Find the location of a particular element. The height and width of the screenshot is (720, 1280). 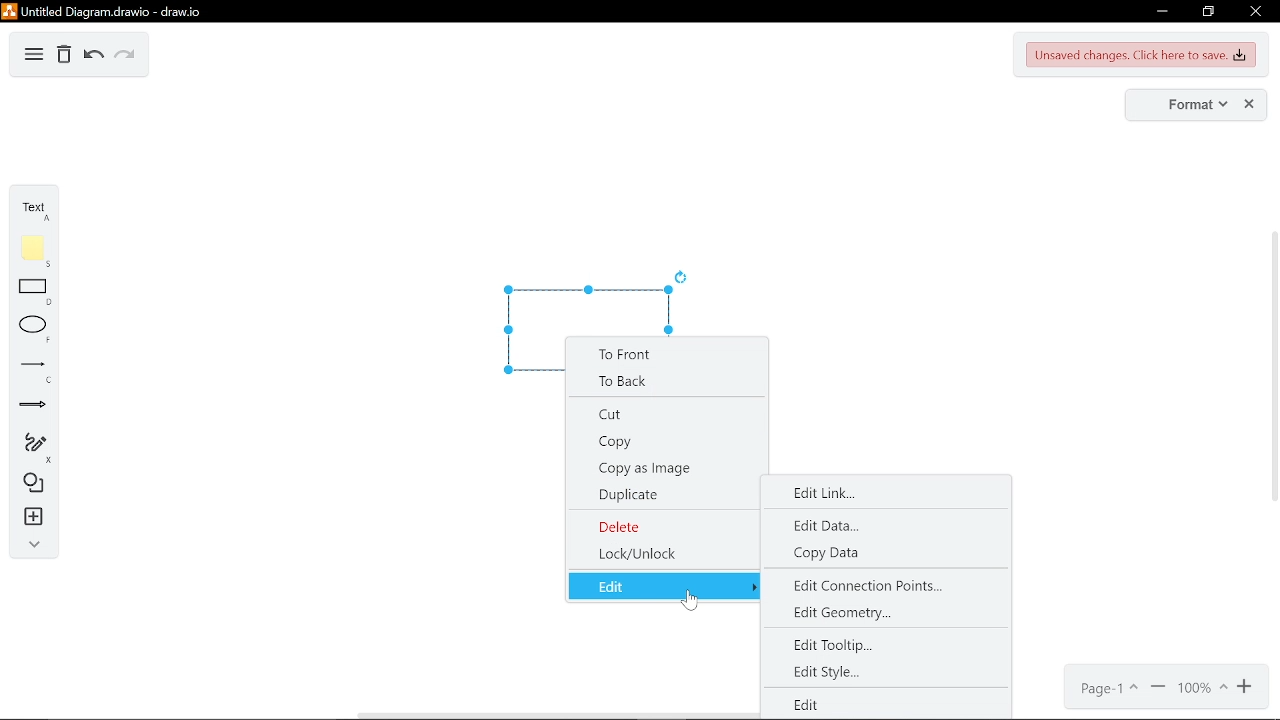

edit geometry is located at coordinates (867, 615).